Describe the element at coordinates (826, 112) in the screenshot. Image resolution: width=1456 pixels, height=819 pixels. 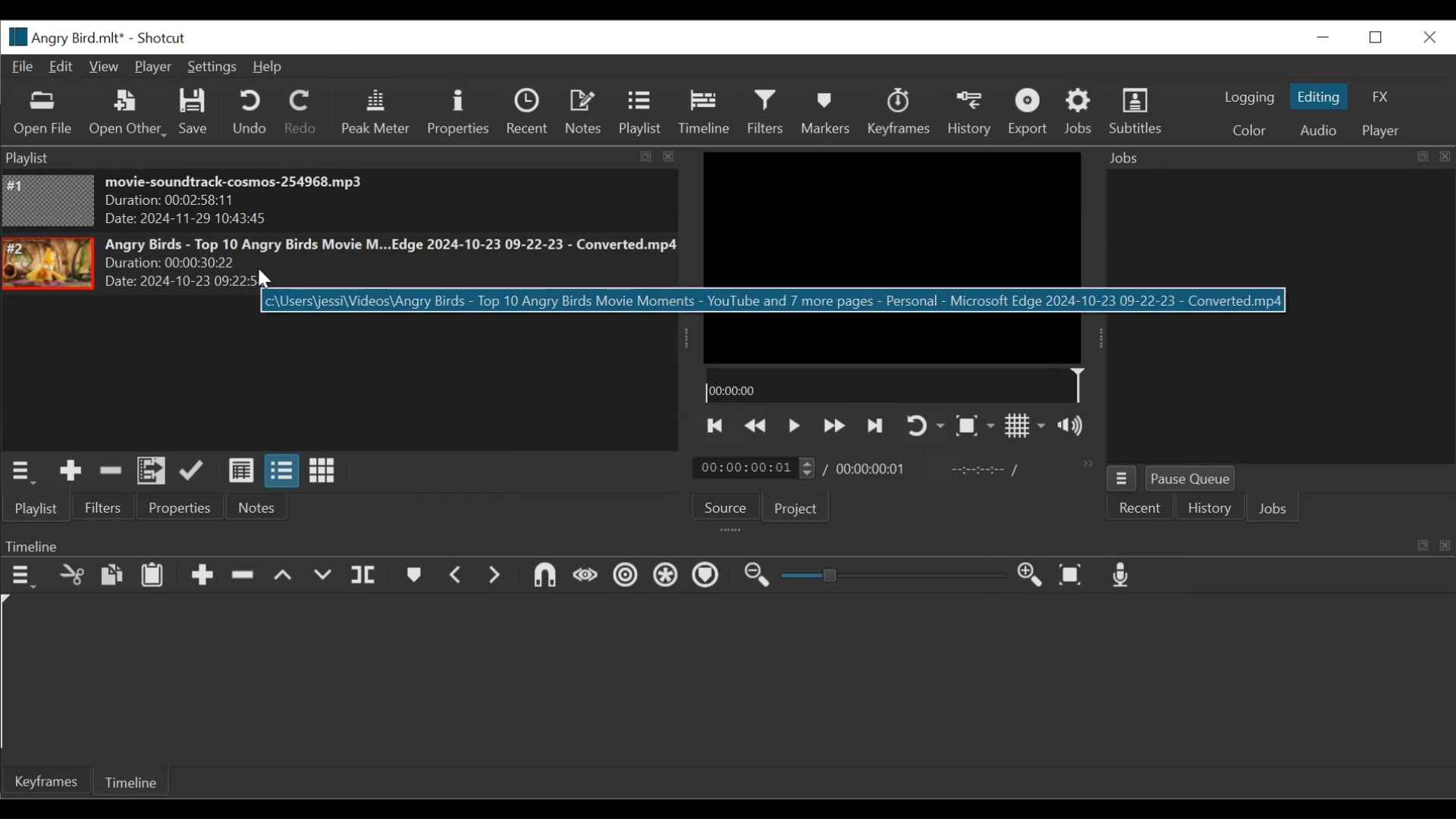
I see `Markers` at that location.